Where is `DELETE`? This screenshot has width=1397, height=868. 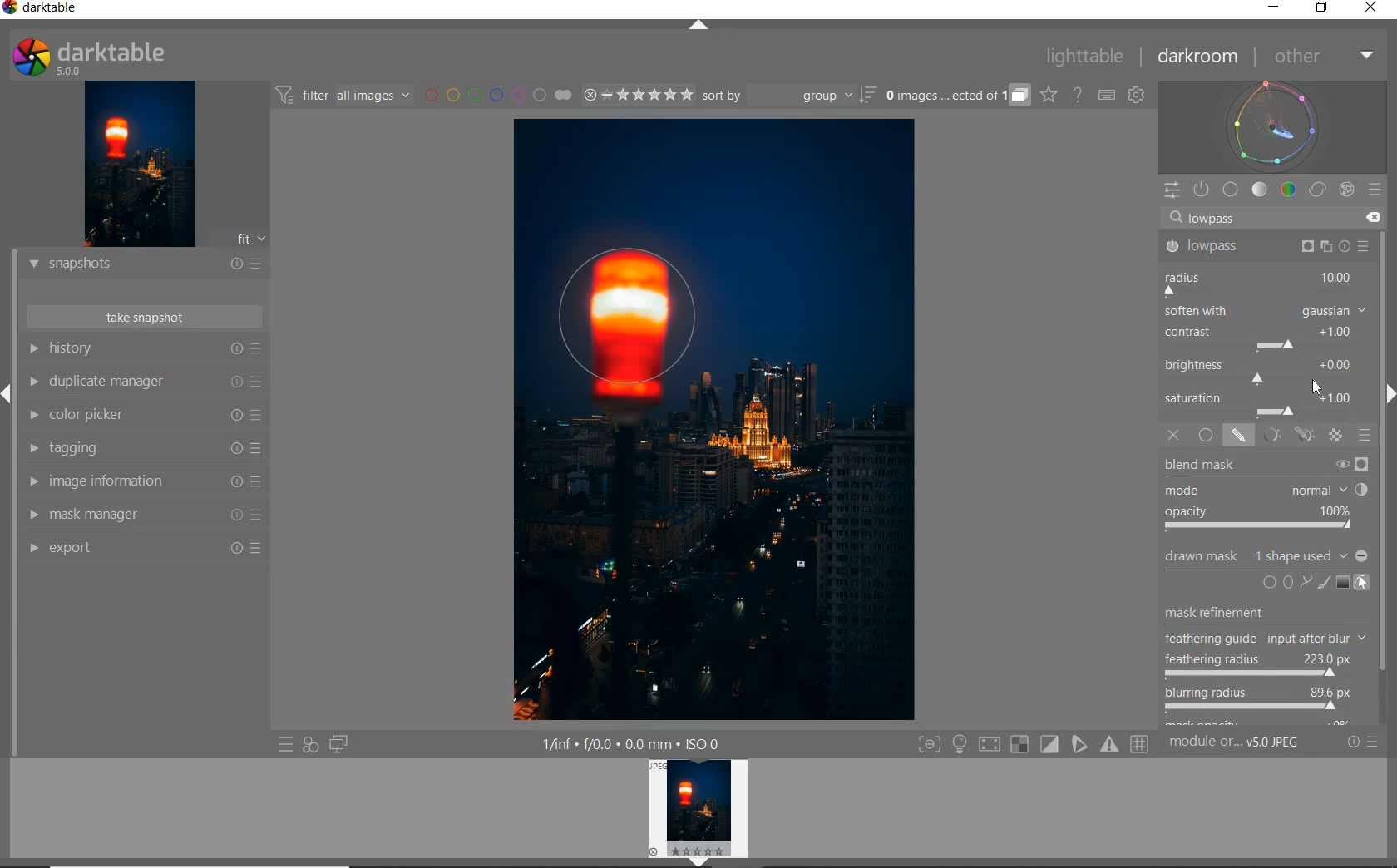 DELETE is located at coordinates (1375, 219).